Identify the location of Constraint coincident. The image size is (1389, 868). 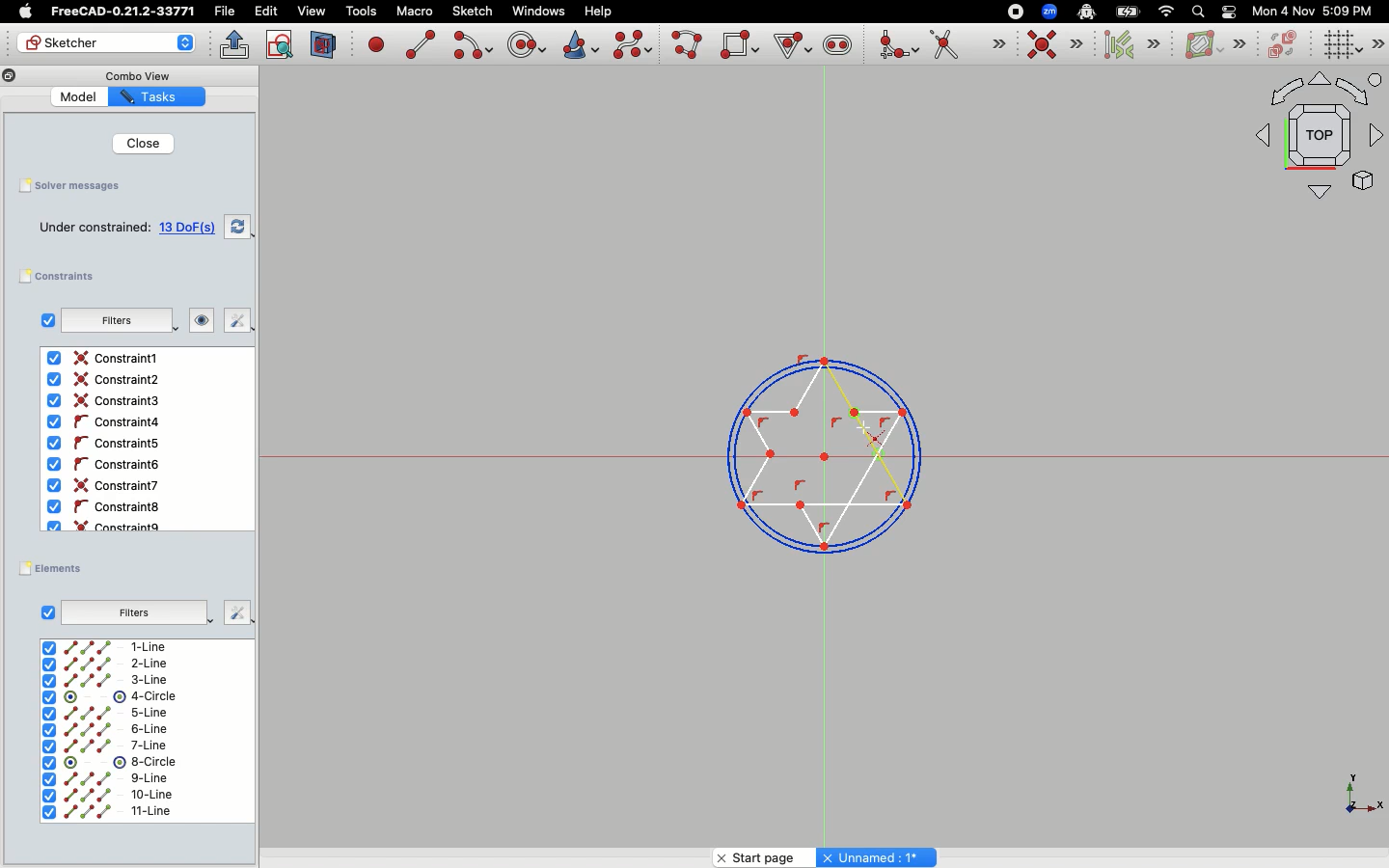
(1055, 45).